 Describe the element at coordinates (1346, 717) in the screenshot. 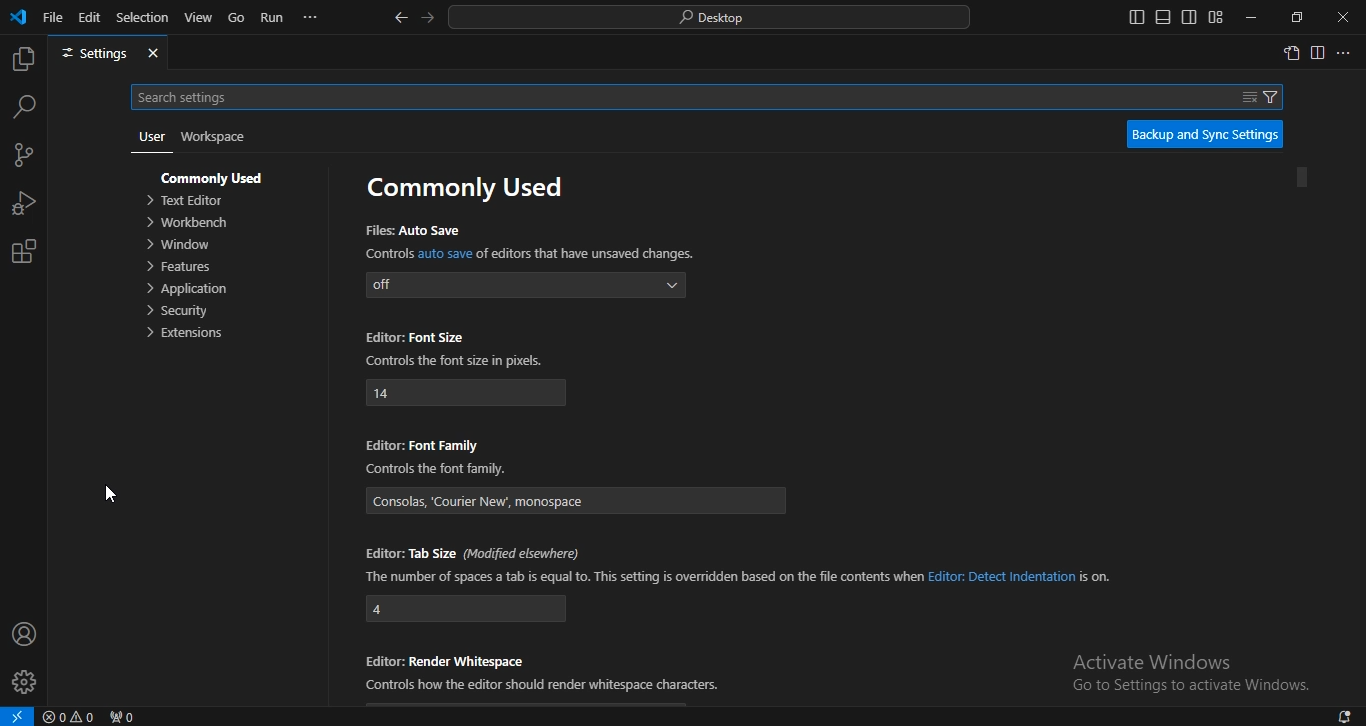

I see `notifications` at that location.